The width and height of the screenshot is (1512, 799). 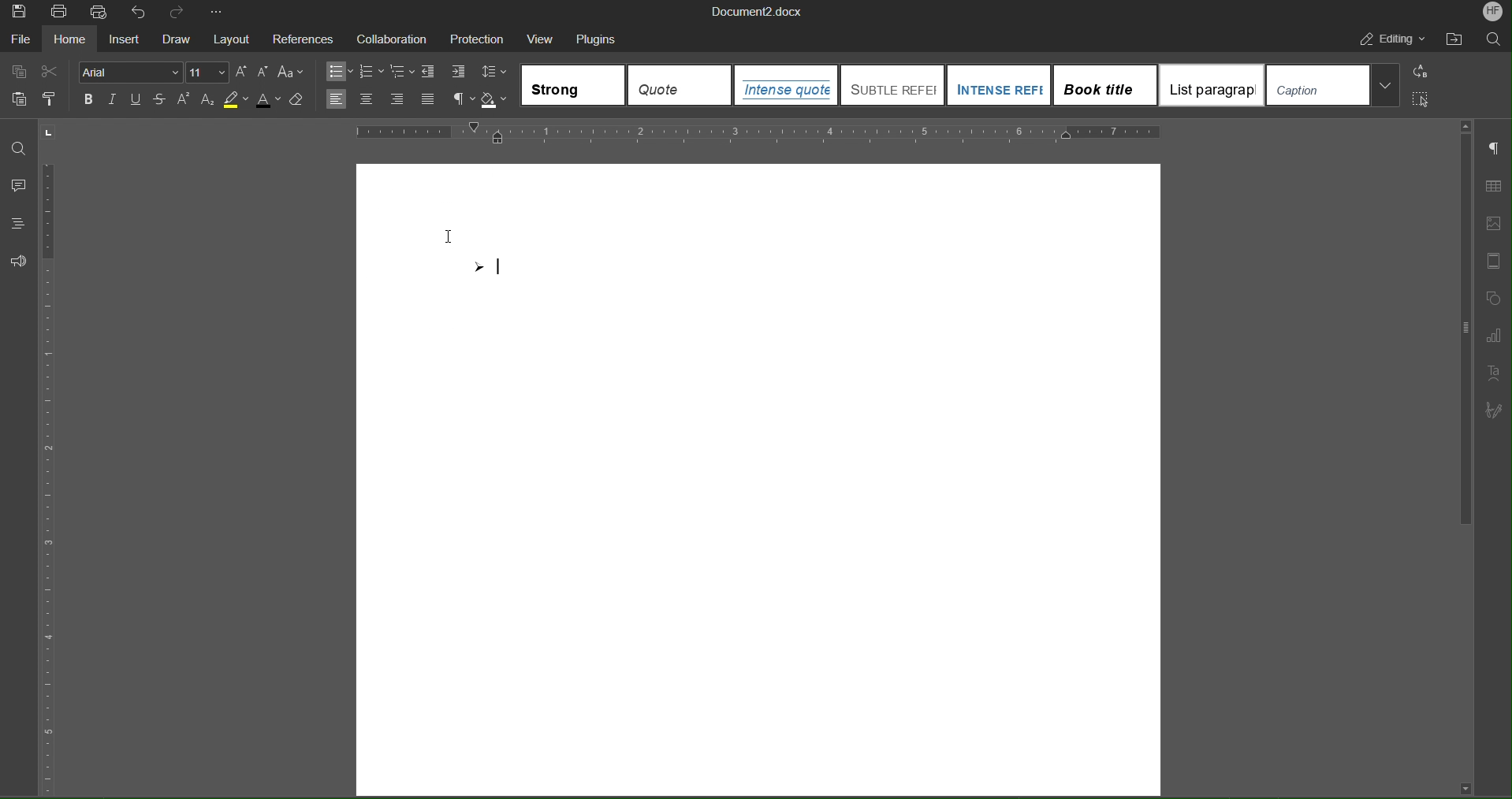 What do you see at coordinates (114, 99) in the screenshot?
I see `Italics` at bounding box center [114, 99].